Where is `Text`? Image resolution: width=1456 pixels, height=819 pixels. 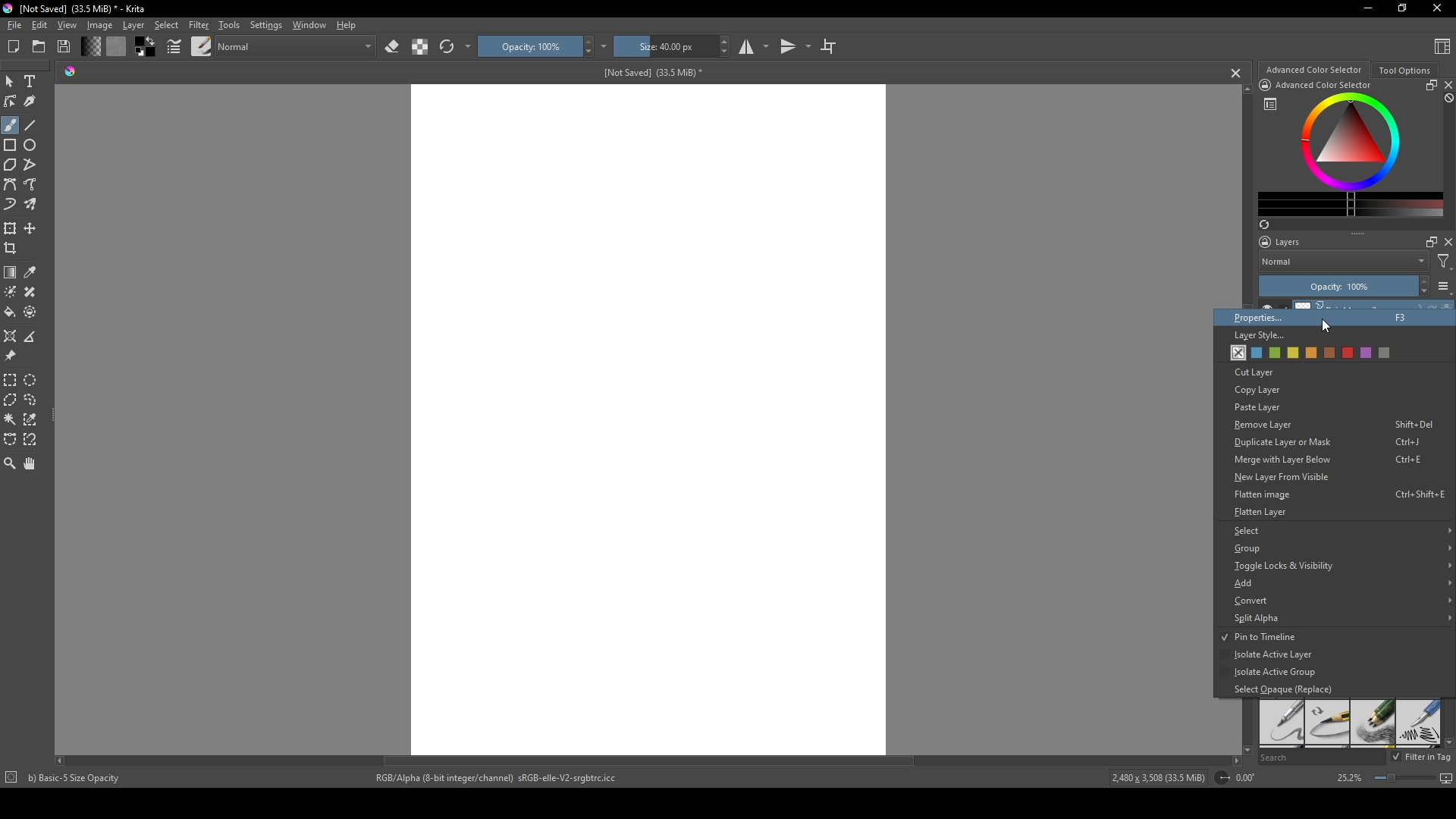
Text is located at coordinates (33, 83).